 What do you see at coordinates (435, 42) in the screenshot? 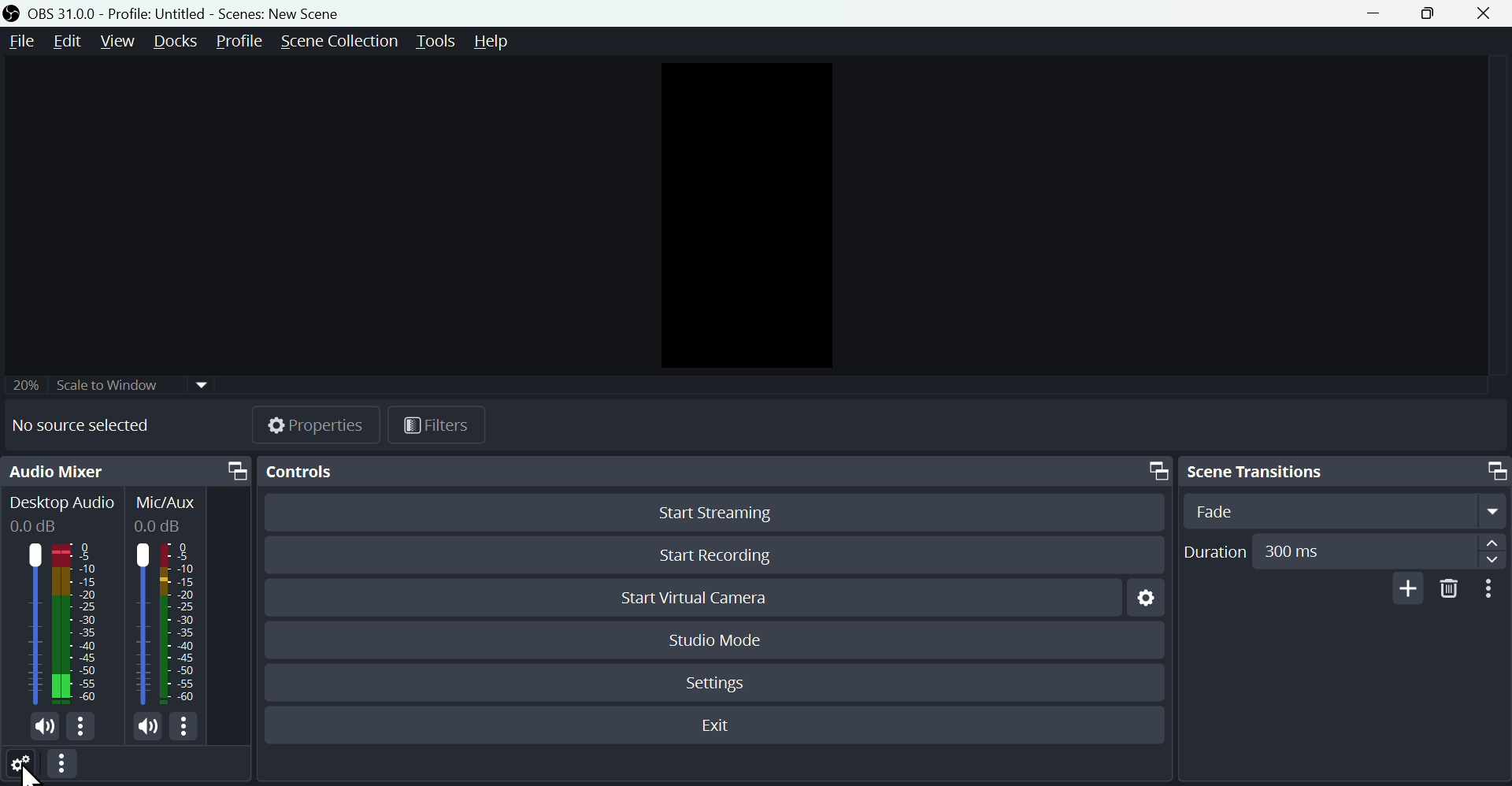
I see `Tools` at bounding box center [435, 42].